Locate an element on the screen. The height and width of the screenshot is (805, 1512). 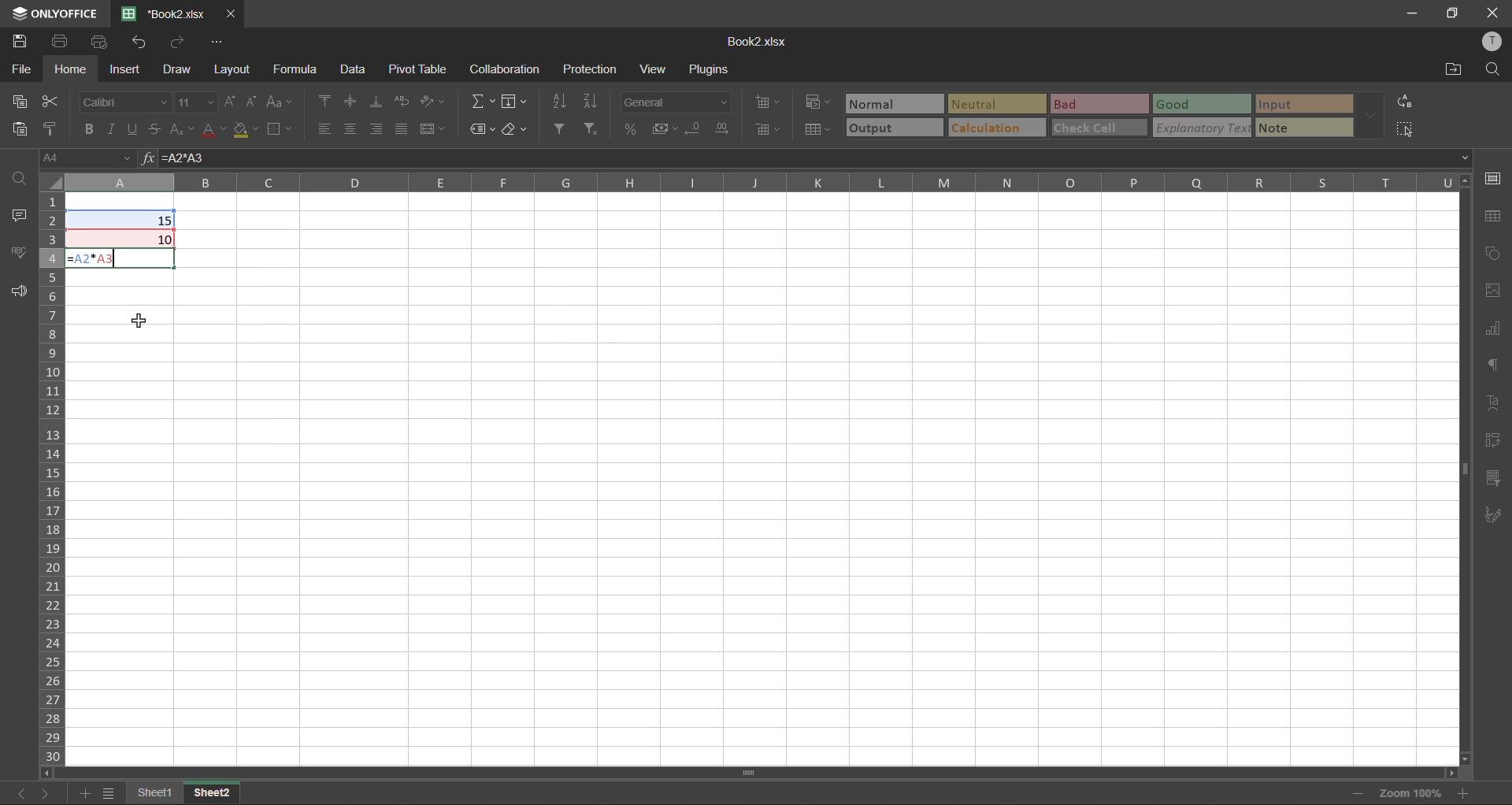
filter is located at coordinates (561, 128).